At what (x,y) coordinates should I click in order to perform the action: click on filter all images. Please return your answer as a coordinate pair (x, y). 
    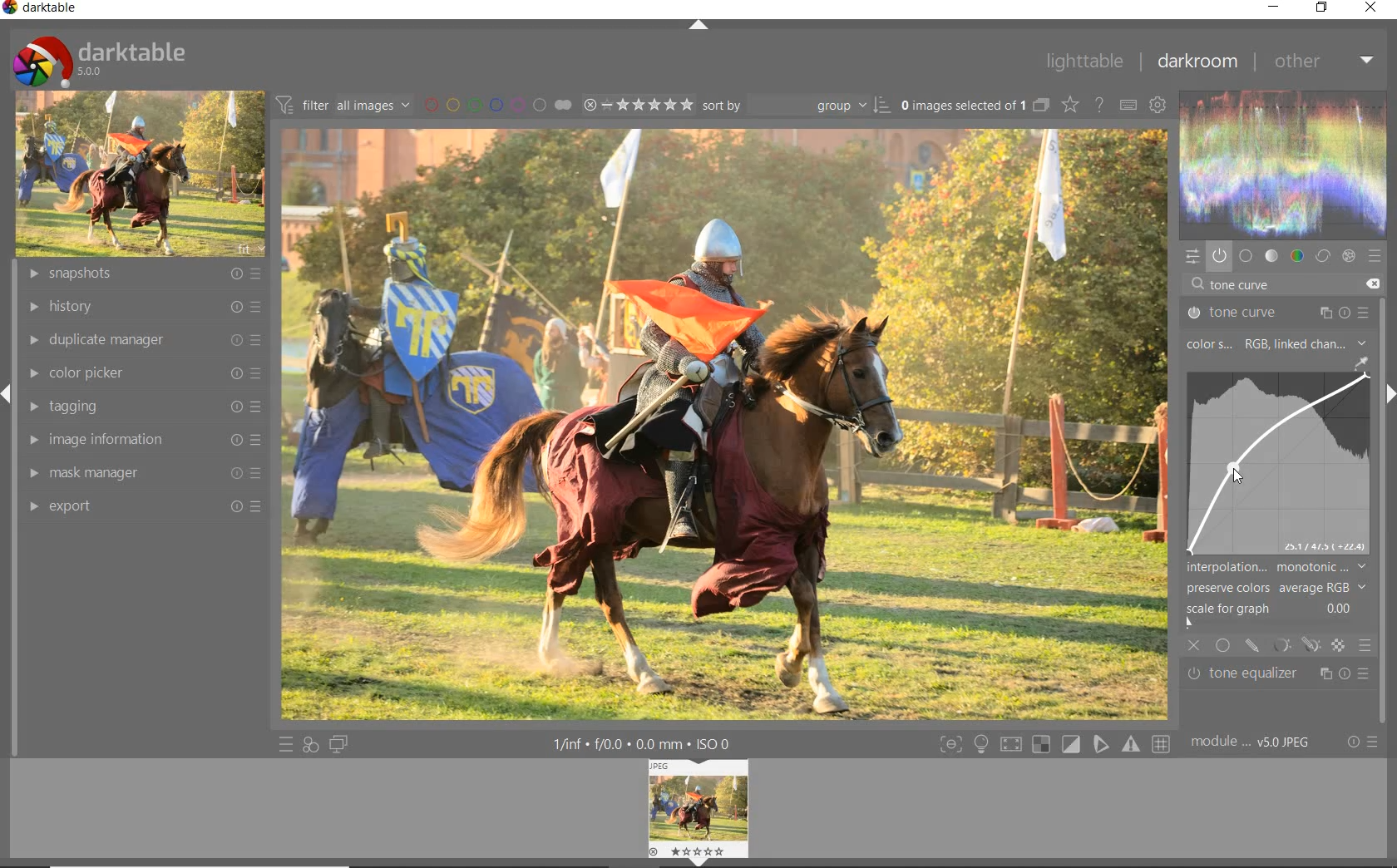
    Looking at the image, I should click on (343, 105).